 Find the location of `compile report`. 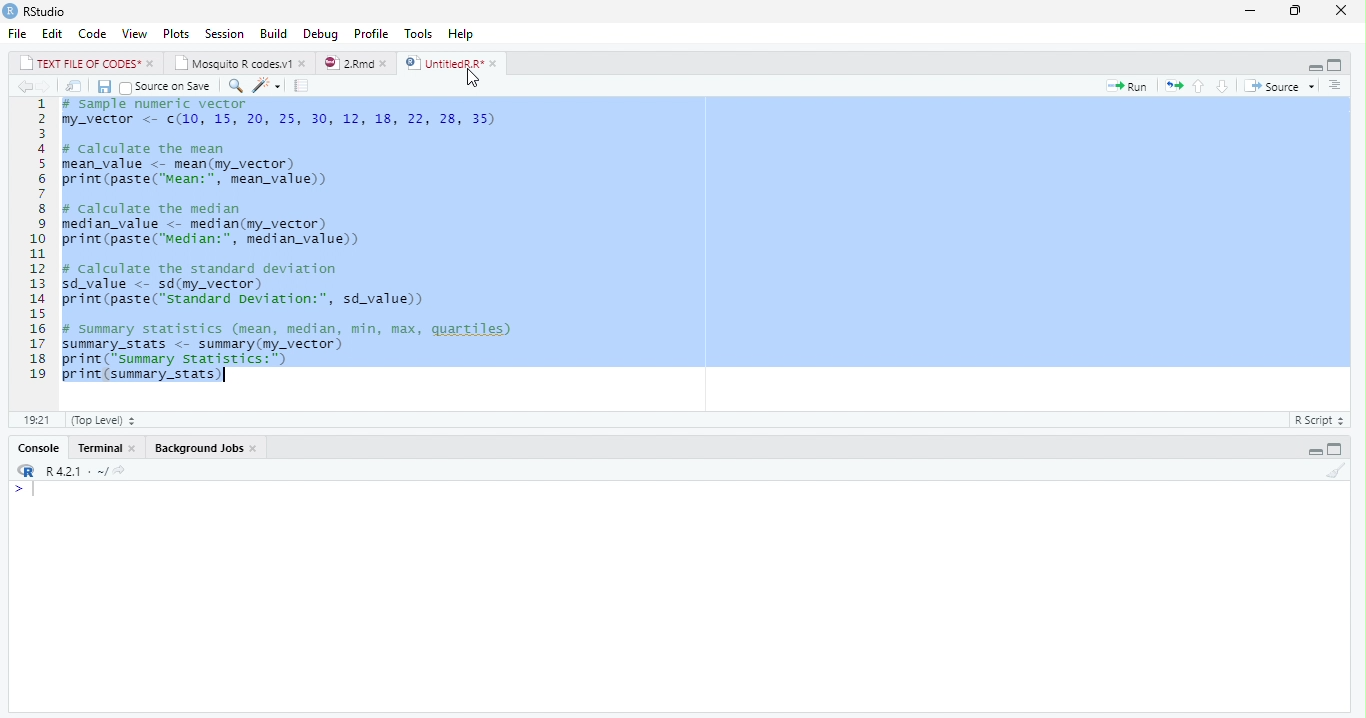

compile report is located at coordinates (304, 85).